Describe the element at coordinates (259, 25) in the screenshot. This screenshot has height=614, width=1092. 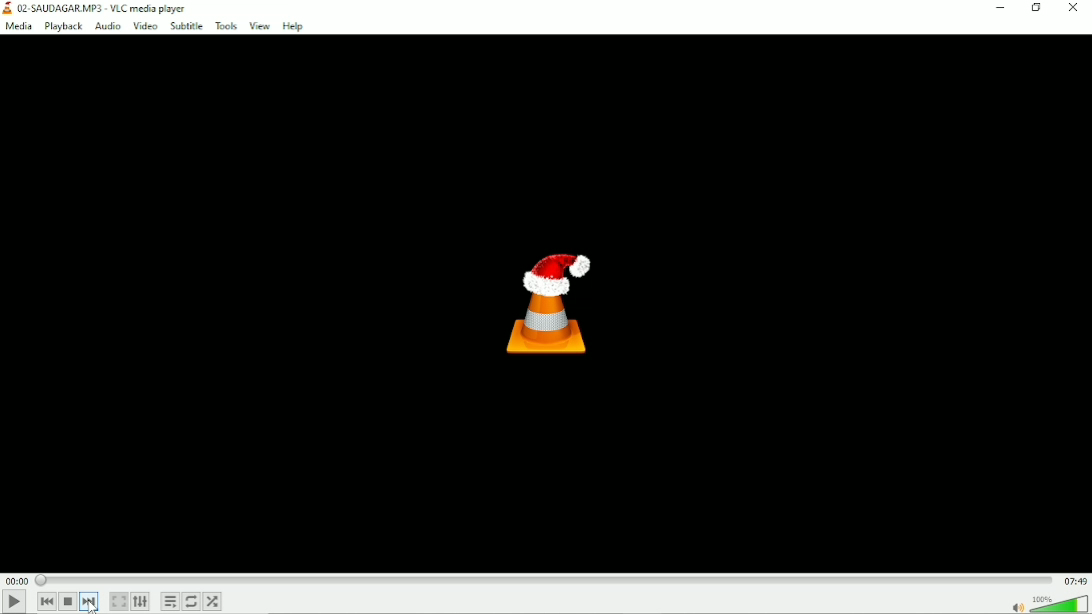
I see `View` at that location.